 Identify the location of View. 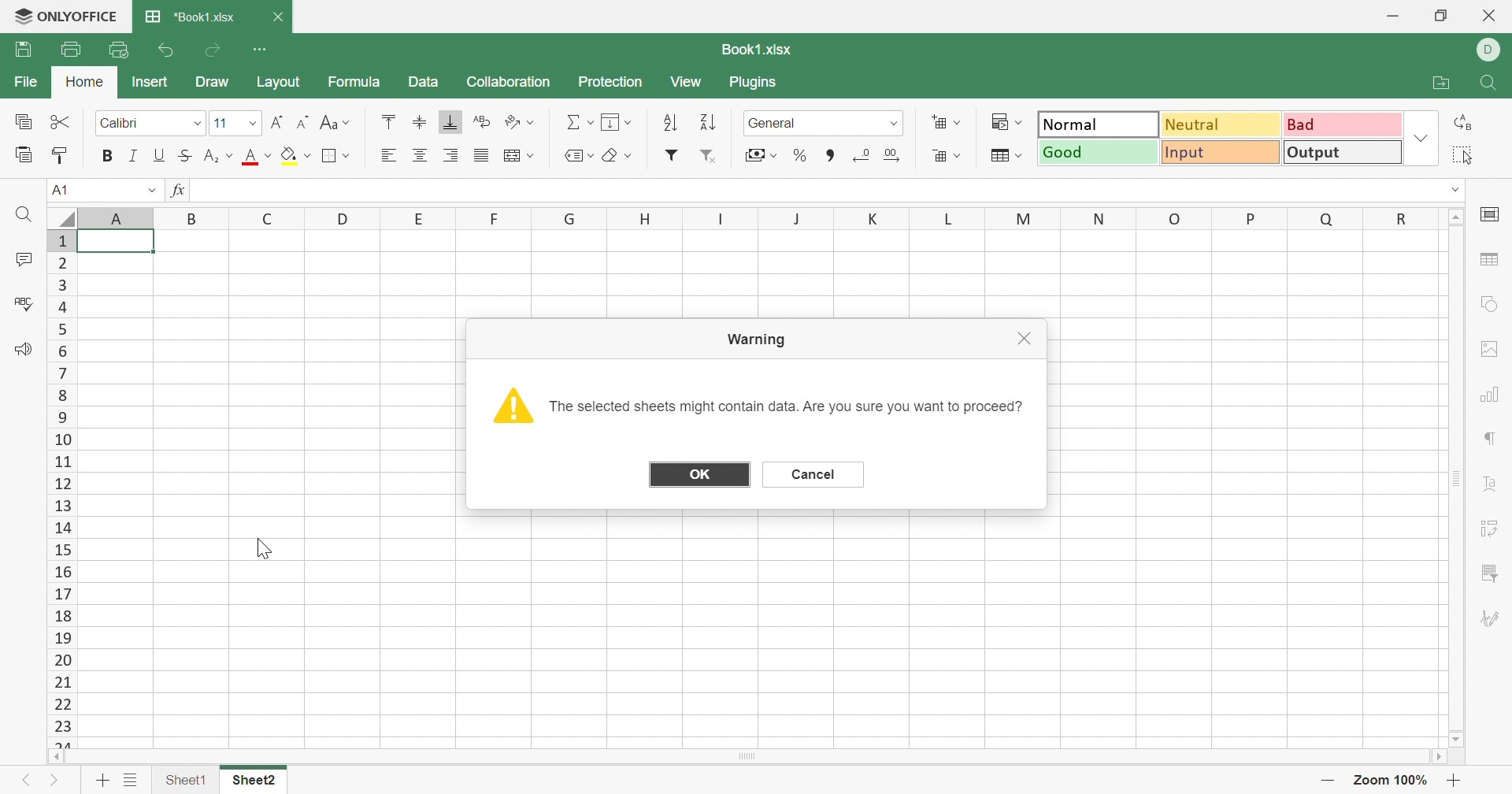
(687, 82).